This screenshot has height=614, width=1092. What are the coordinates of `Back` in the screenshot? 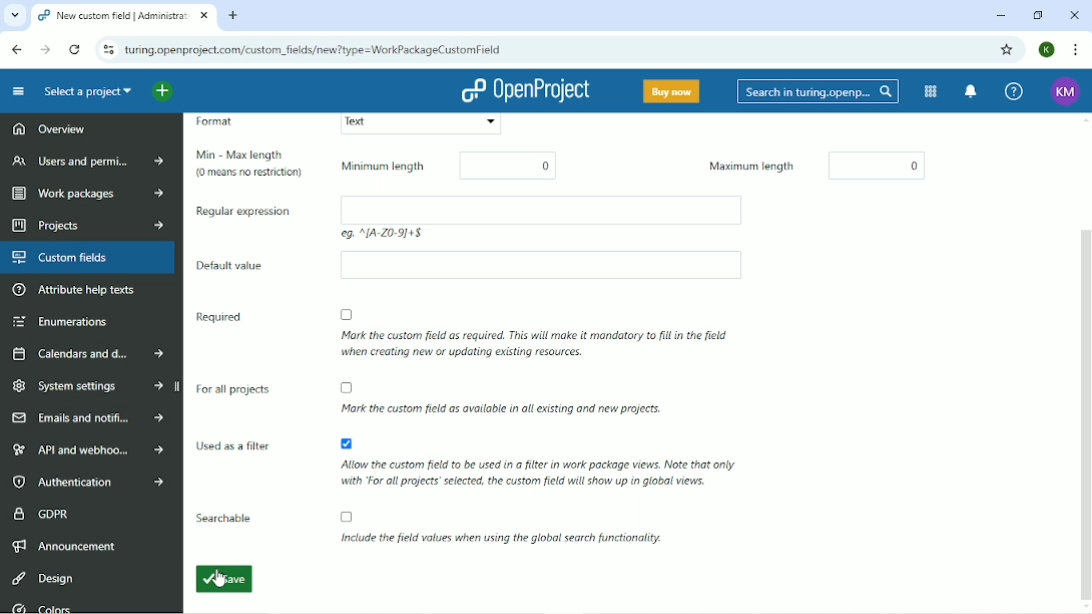 It's located at (18, 49).